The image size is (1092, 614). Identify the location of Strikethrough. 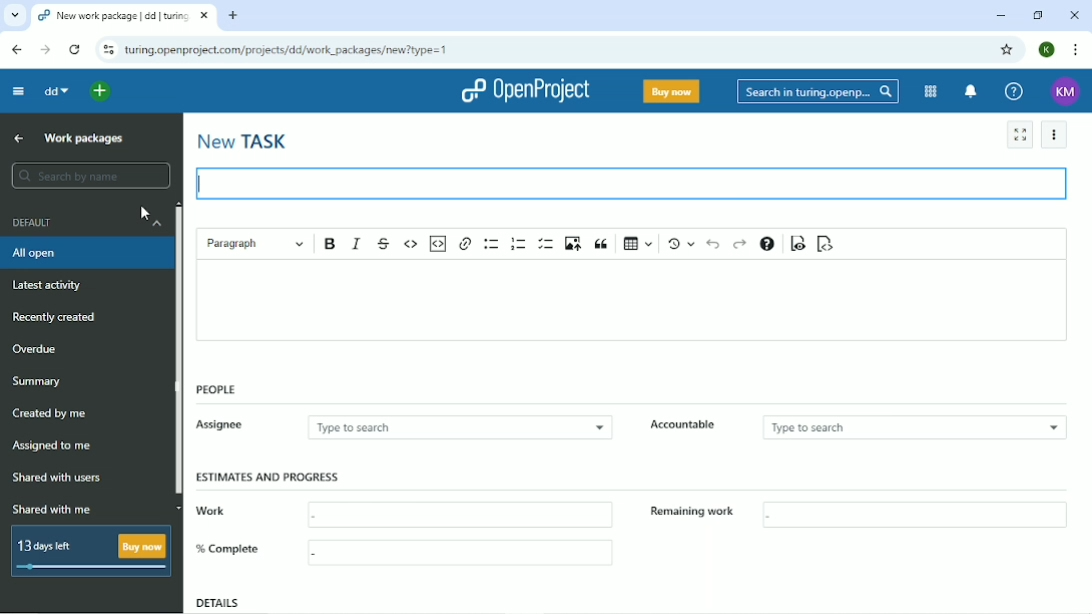
(384, 243).